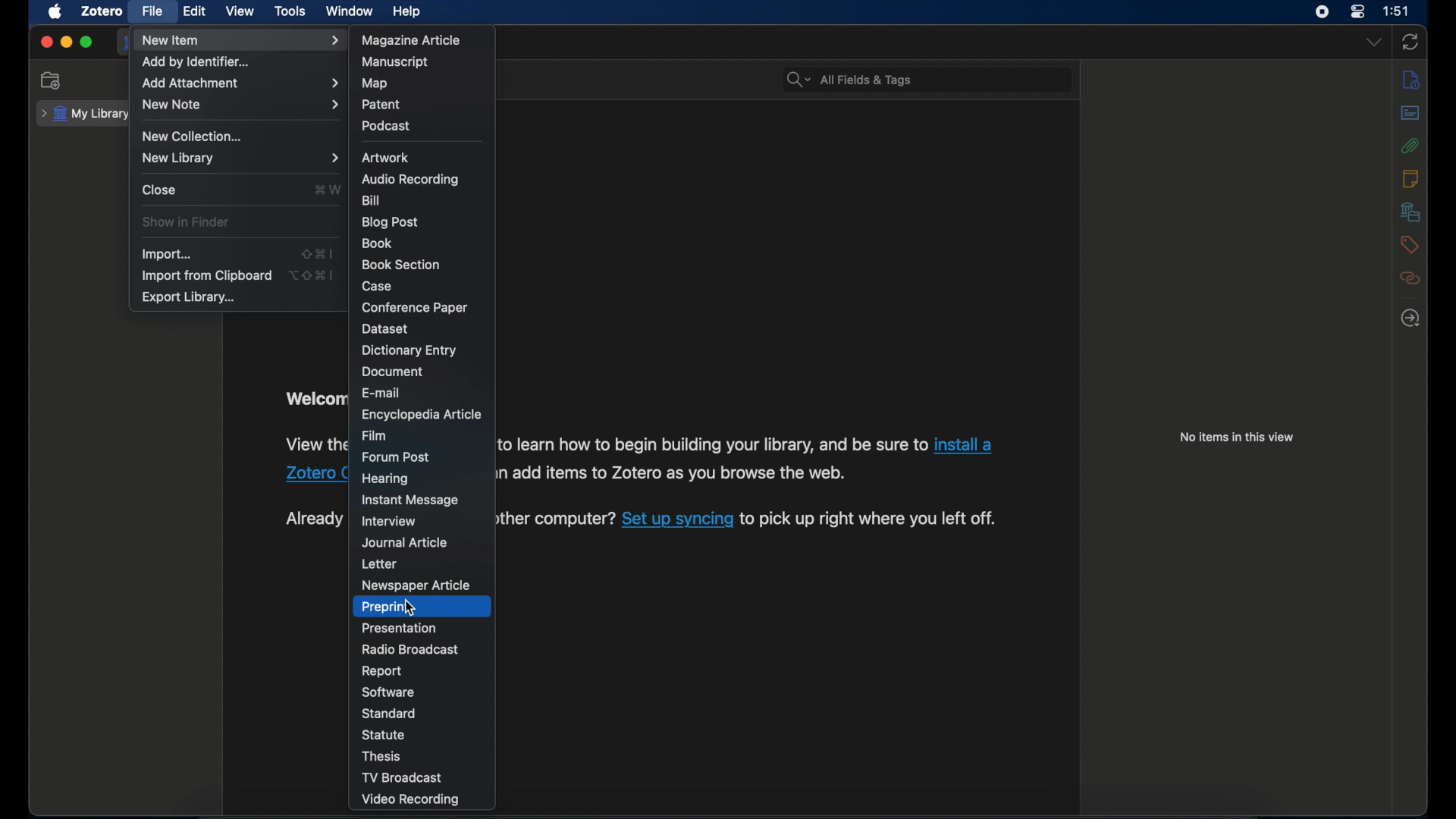  I want to click on file, so click(153, 11).